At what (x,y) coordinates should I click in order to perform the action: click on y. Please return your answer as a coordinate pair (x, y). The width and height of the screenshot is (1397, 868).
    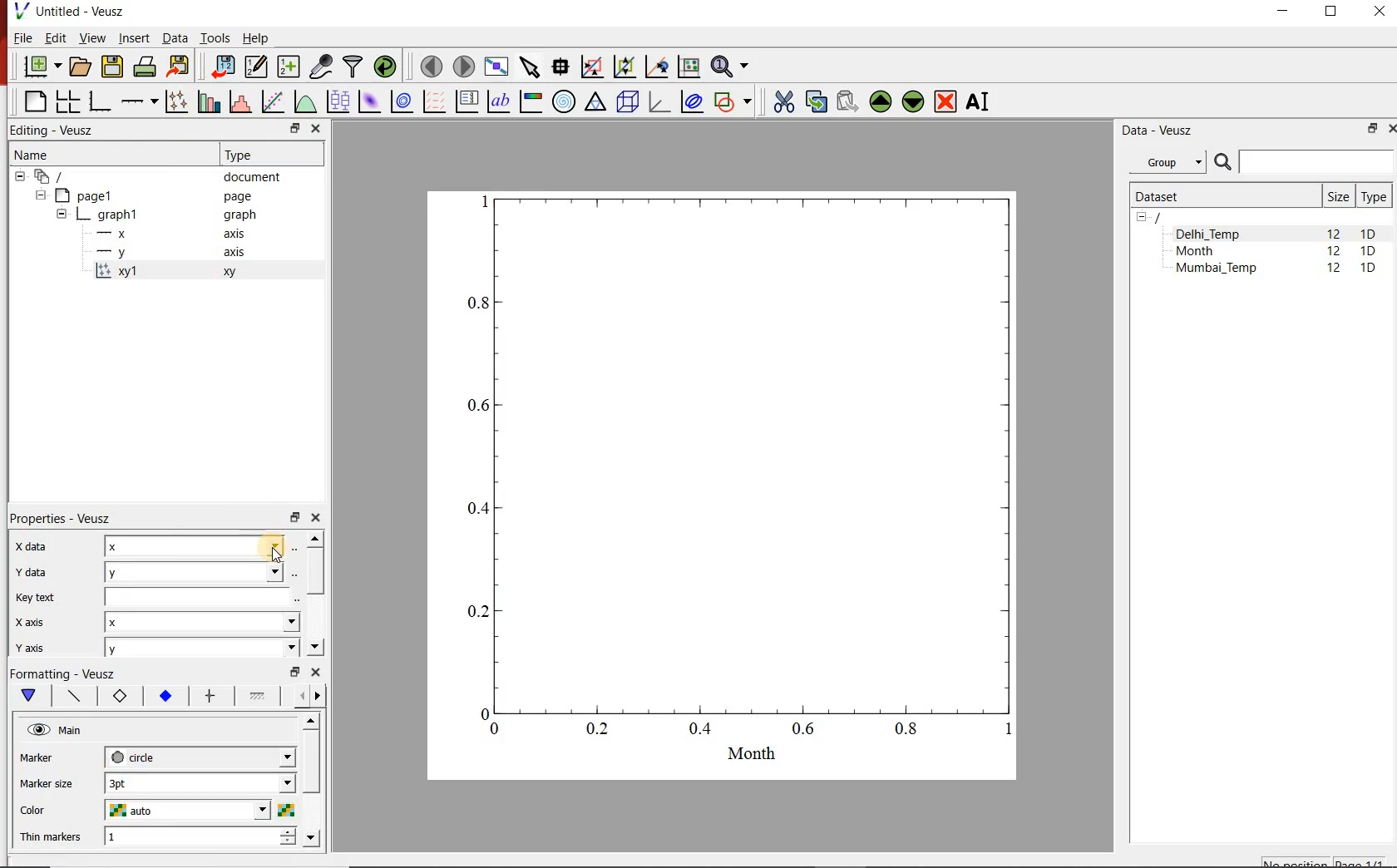
    Looking at the image, I should click on (203, 570).